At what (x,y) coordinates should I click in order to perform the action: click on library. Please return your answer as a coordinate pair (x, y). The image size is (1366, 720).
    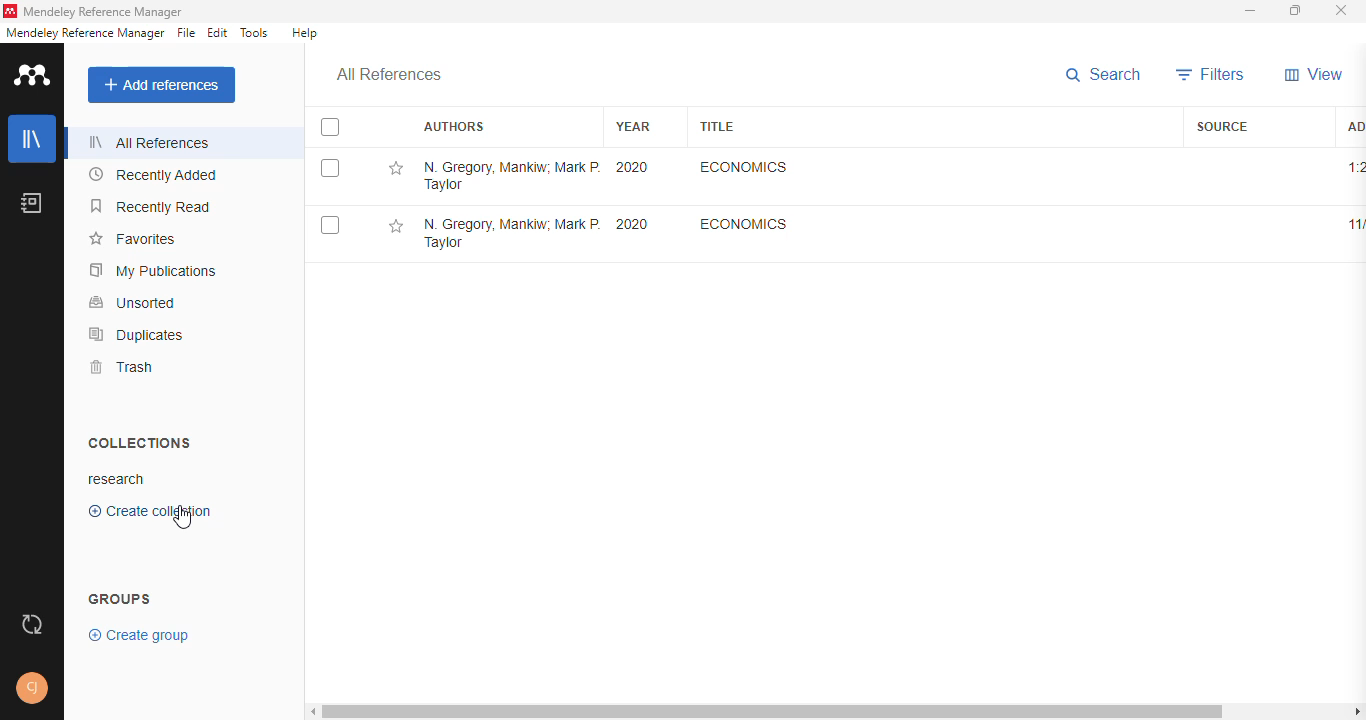
    Looking at the image, I should click on (33, 139).